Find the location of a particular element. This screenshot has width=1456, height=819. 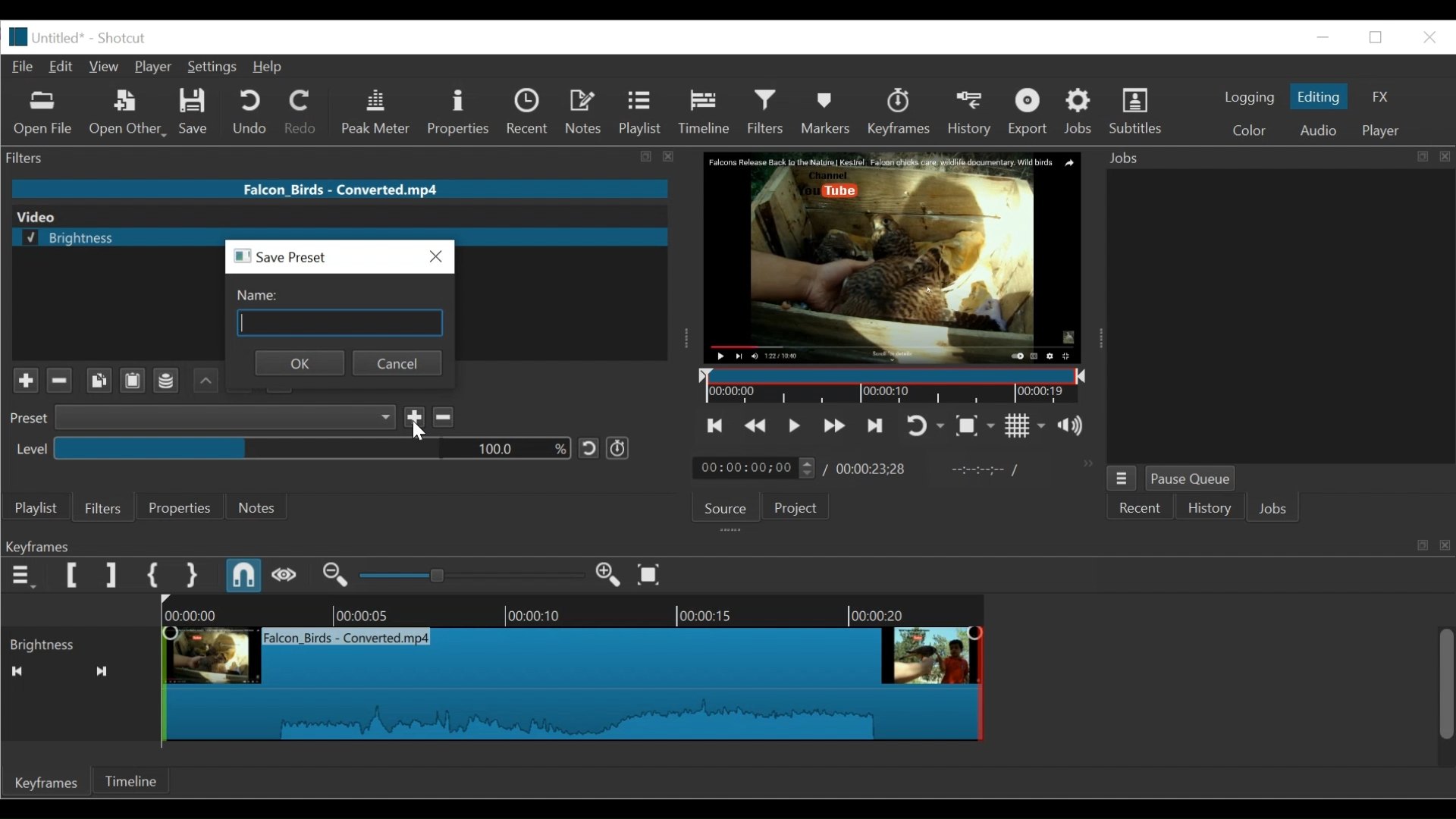

Clipboard is located at coordinates (131, 381).